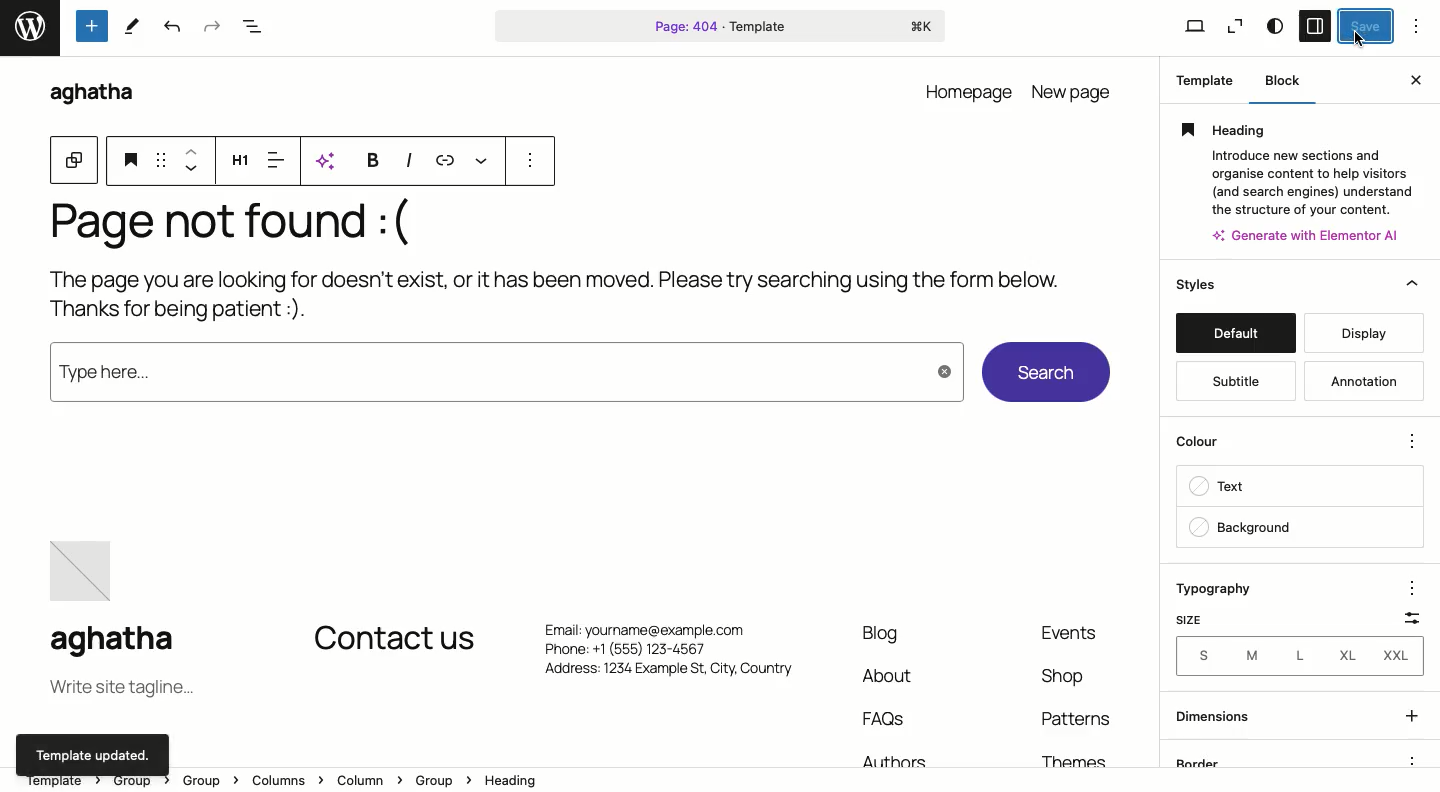 This screenshot has width=1440, height=792. I want to click on Heading, so click(240, 162).